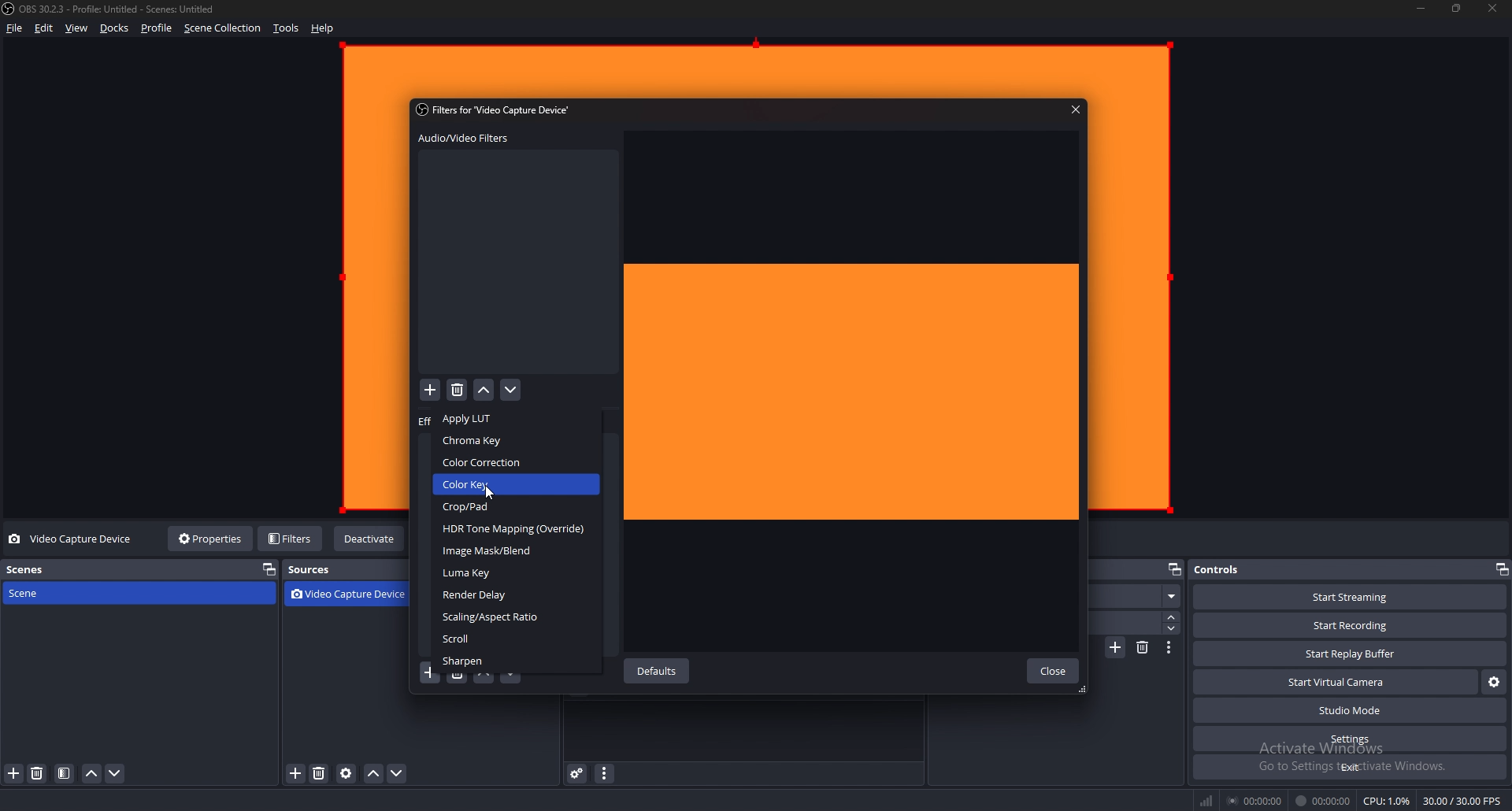 This screenshot has width=1512, height=811. Describe the element at coordinates (517, 594) in the screenshot. I see `render delay` at that location.